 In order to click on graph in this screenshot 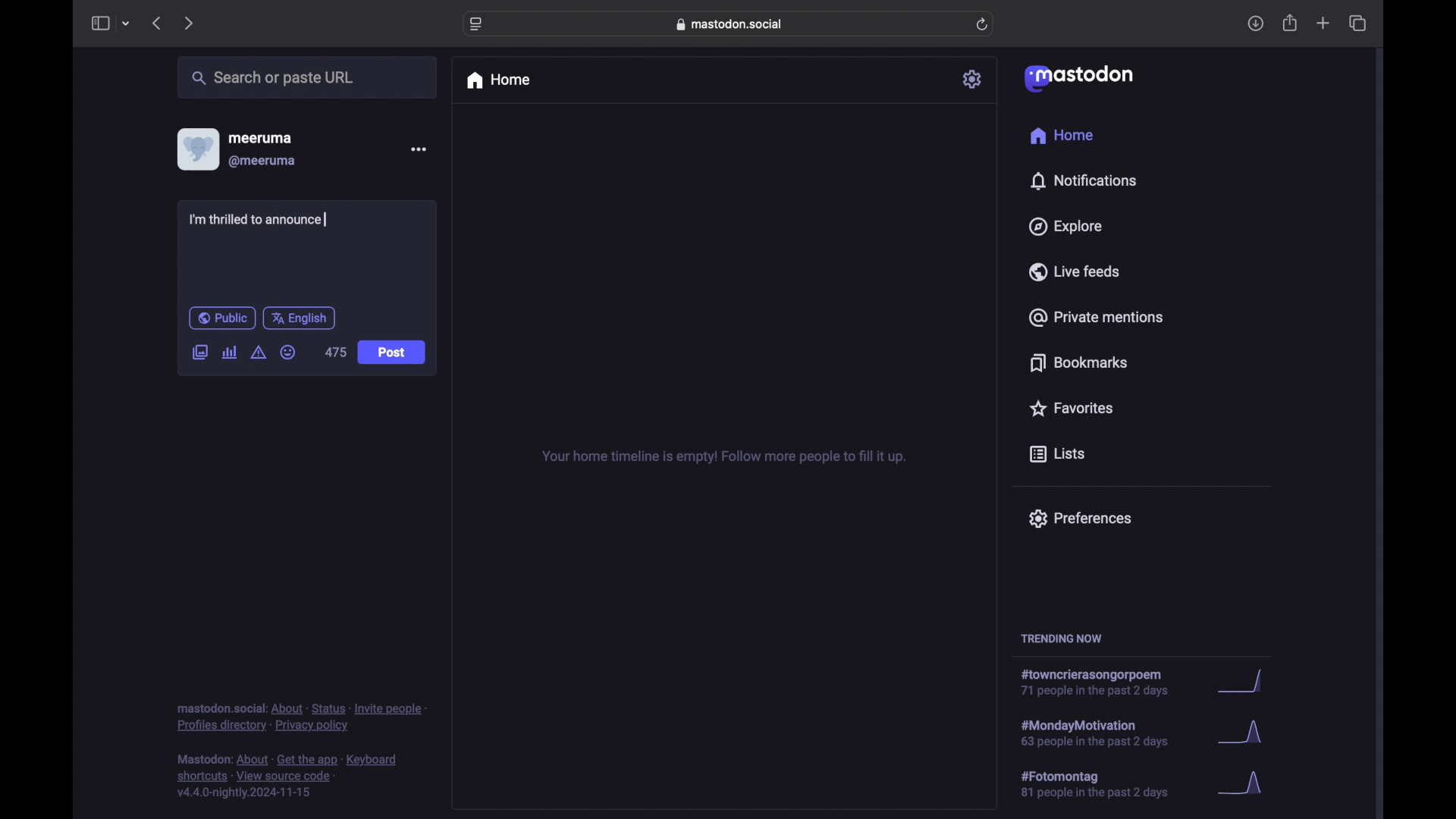, I will do `click(1246, 682)`.